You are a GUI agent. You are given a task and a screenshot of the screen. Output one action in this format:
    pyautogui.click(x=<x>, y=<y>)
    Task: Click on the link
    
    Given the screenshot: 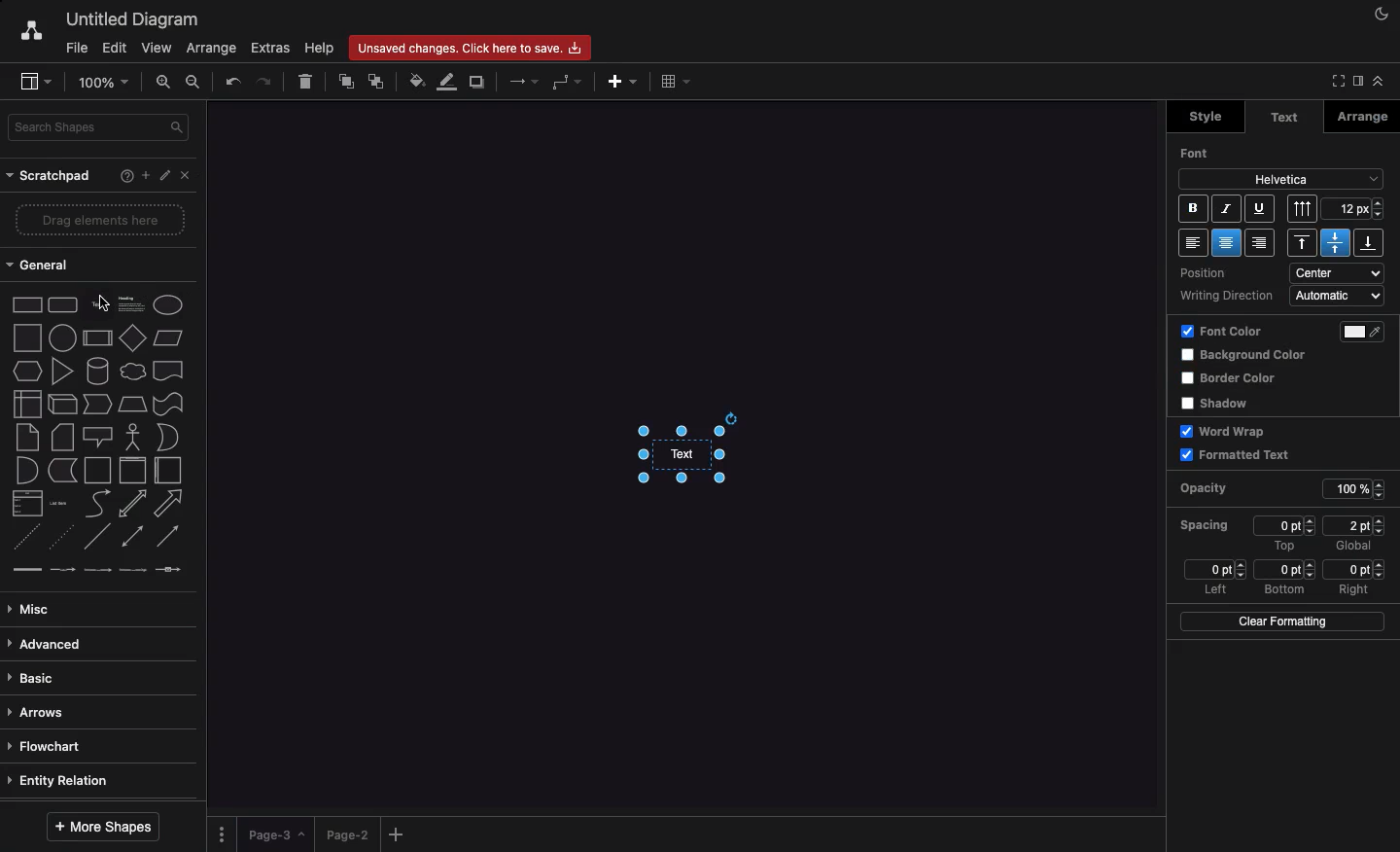 What is the action you would take?
    pyautogui.click(x=26, y=569)
    